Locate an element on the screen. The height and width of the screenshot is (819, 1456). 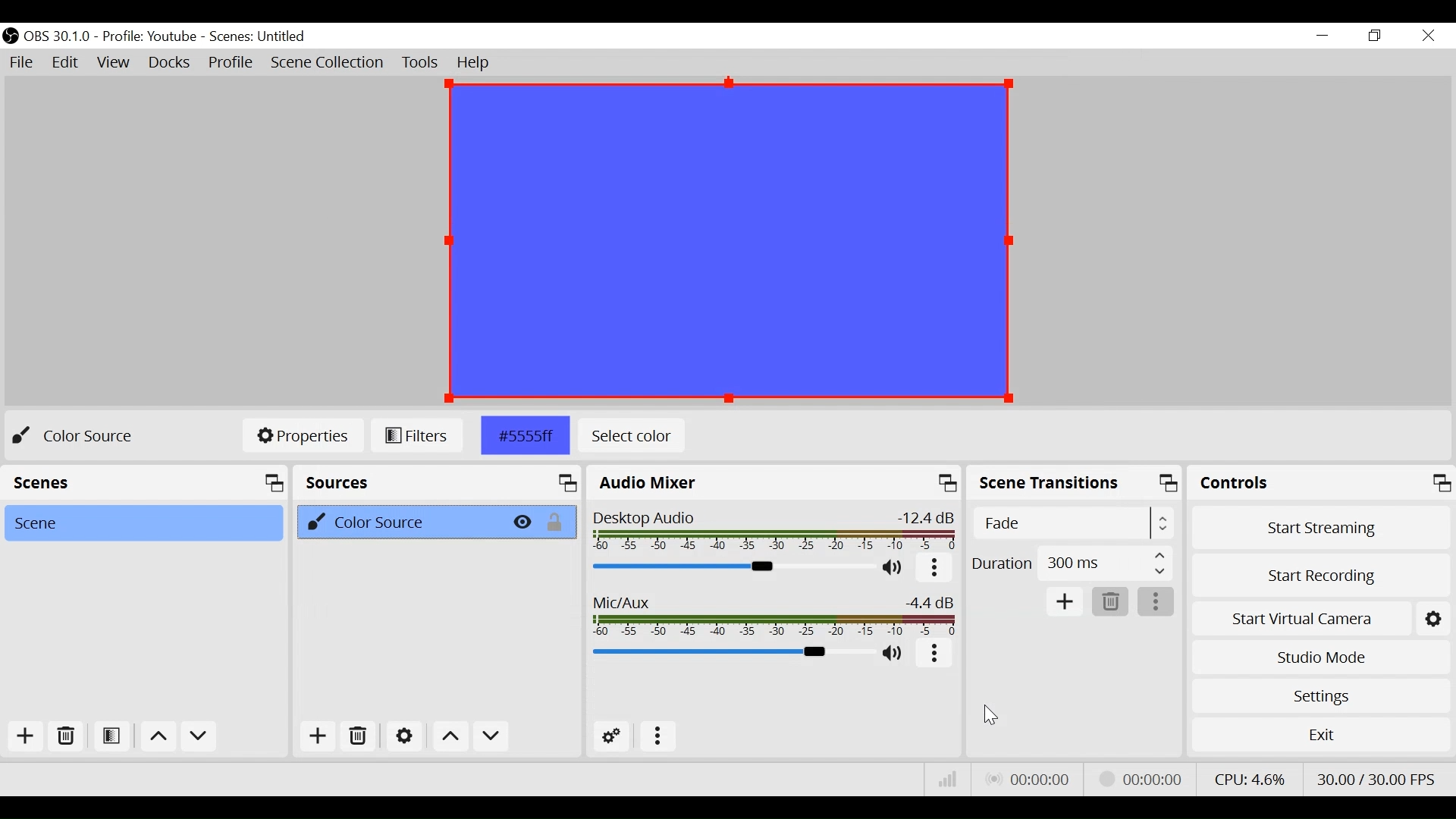
Add is located at coordinates (1065, 602).